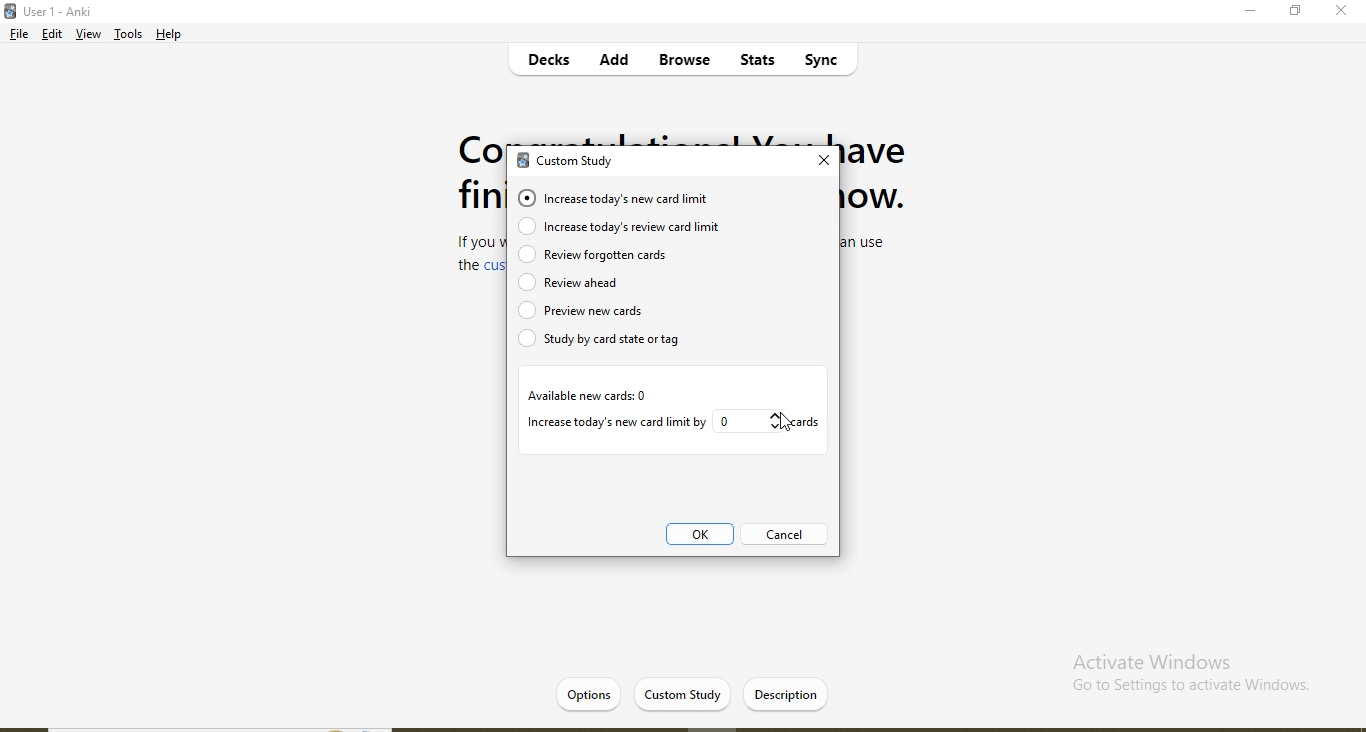 Image resolution: width=1366 pixels, height=732 pixels. Describe the element at coordinates (790, 693) in the screenshot. I see `import file` at that location.